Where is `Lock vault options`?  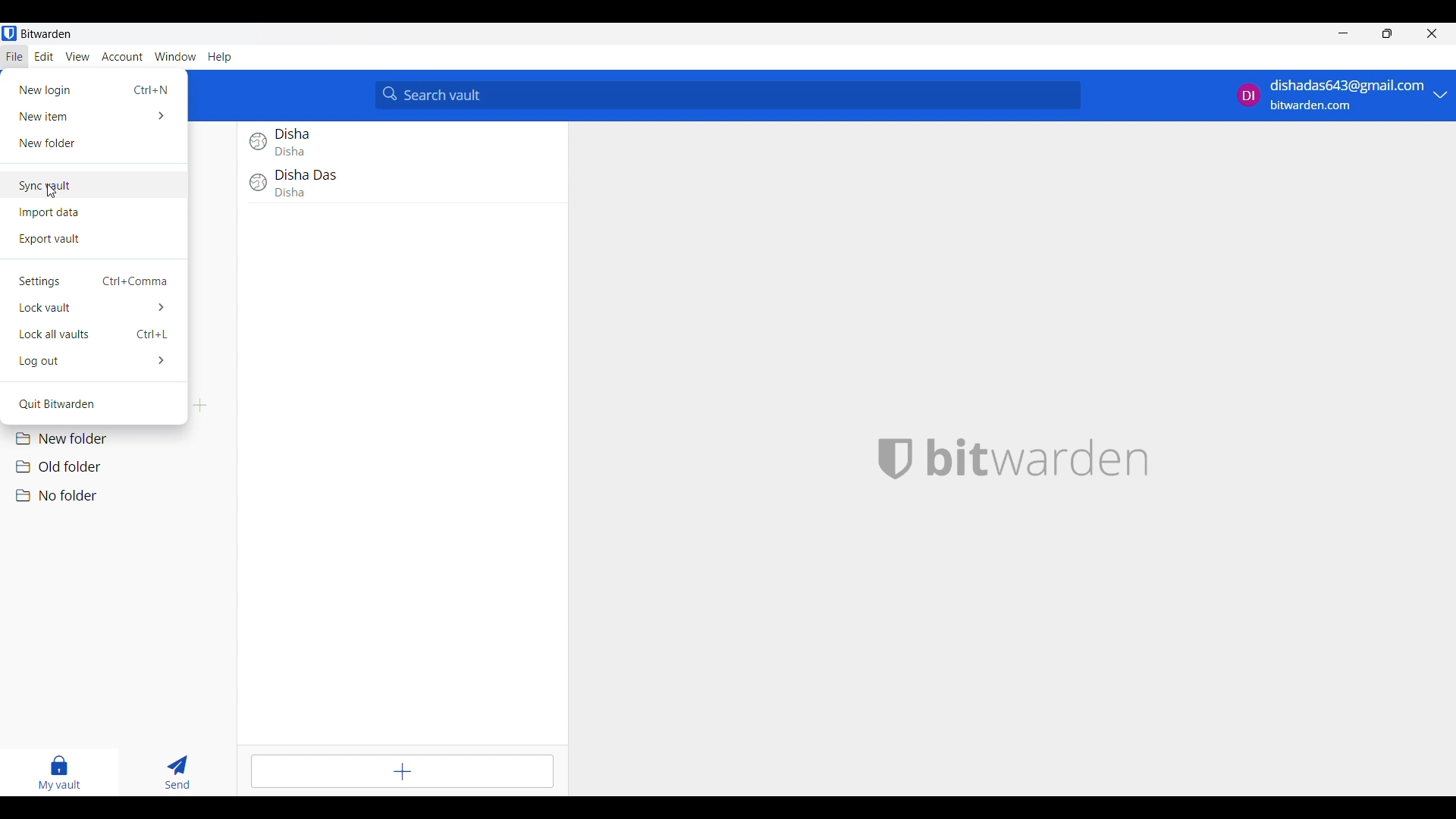
Lock vault options is located at coordinates (94, 308).